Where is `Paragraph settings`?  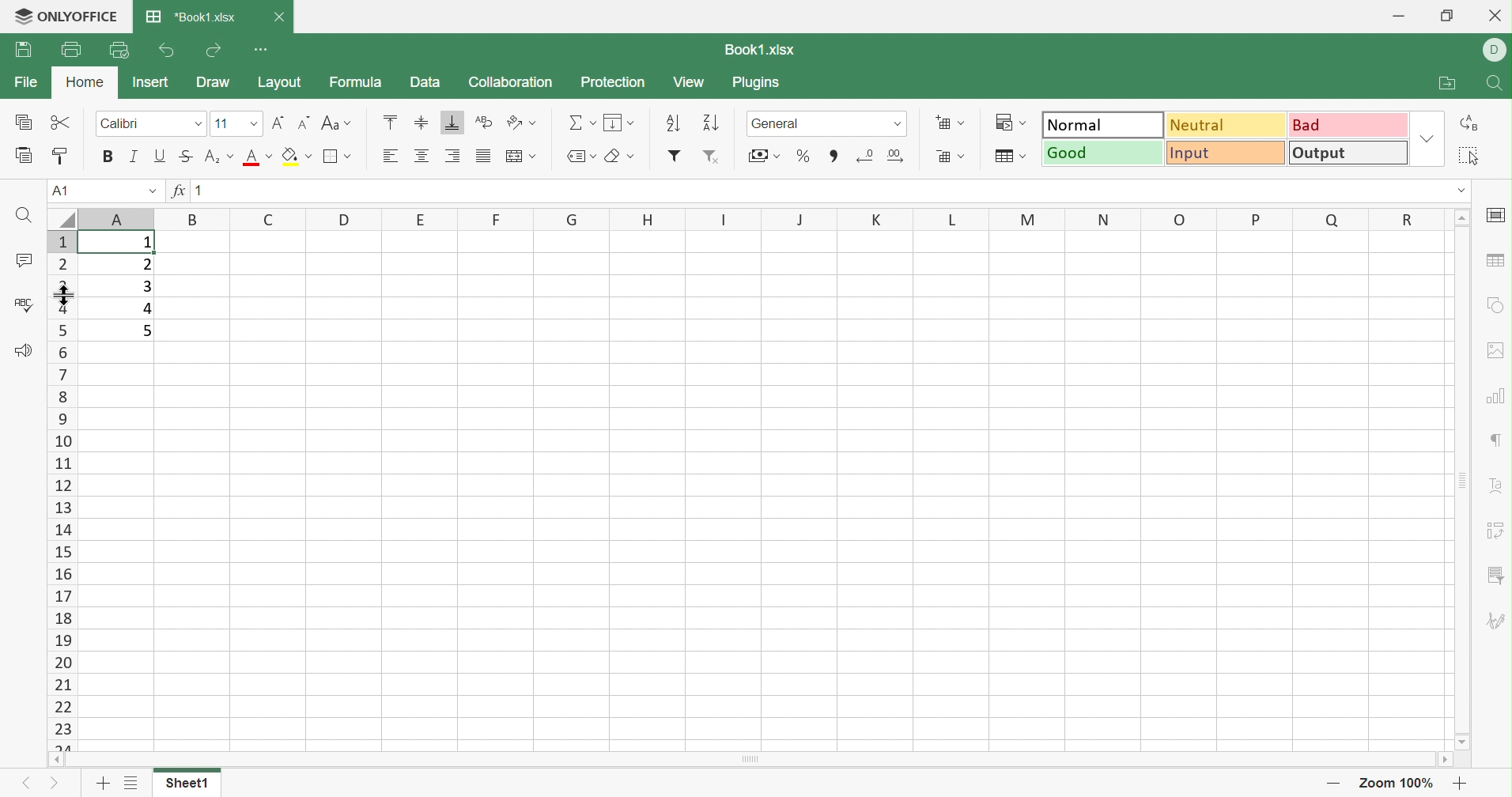 Paragraph settings is located at coordinates (1495, 436).